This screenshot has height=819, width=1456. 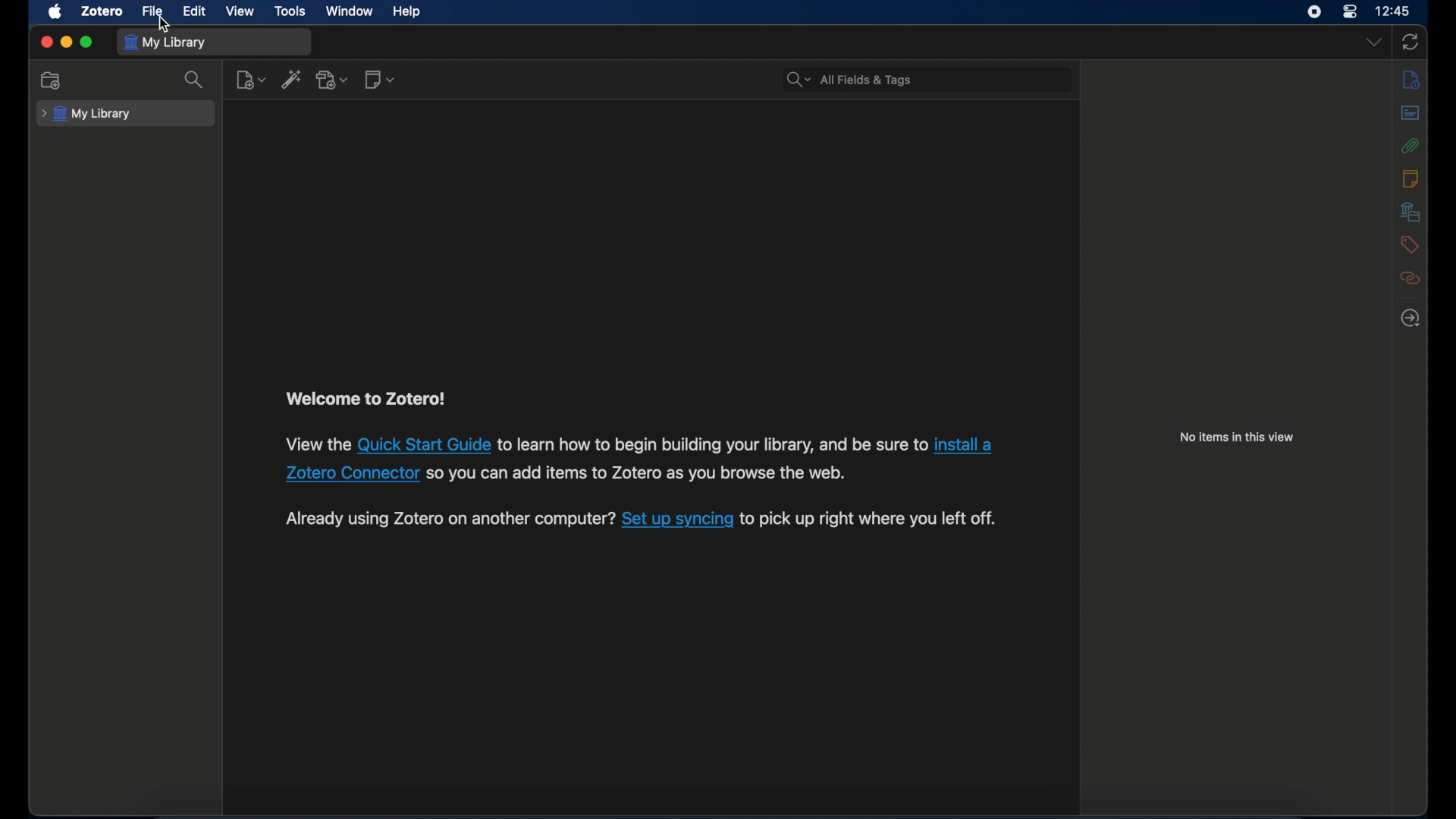 What do you see at coordinates (1410, 212) in the screenshot?
I see `libraries` at bounding box center [1410, 212].